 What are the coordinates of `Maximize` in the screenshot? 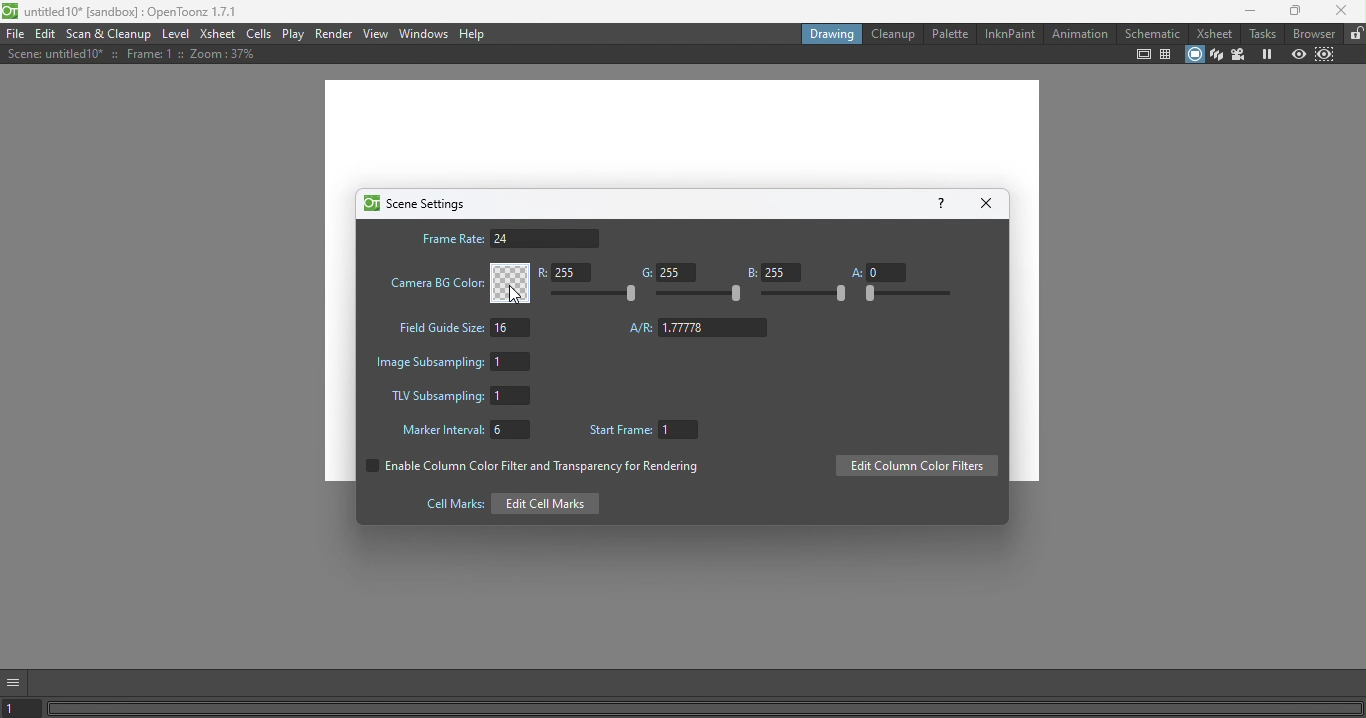 It's located at (1292, 12).